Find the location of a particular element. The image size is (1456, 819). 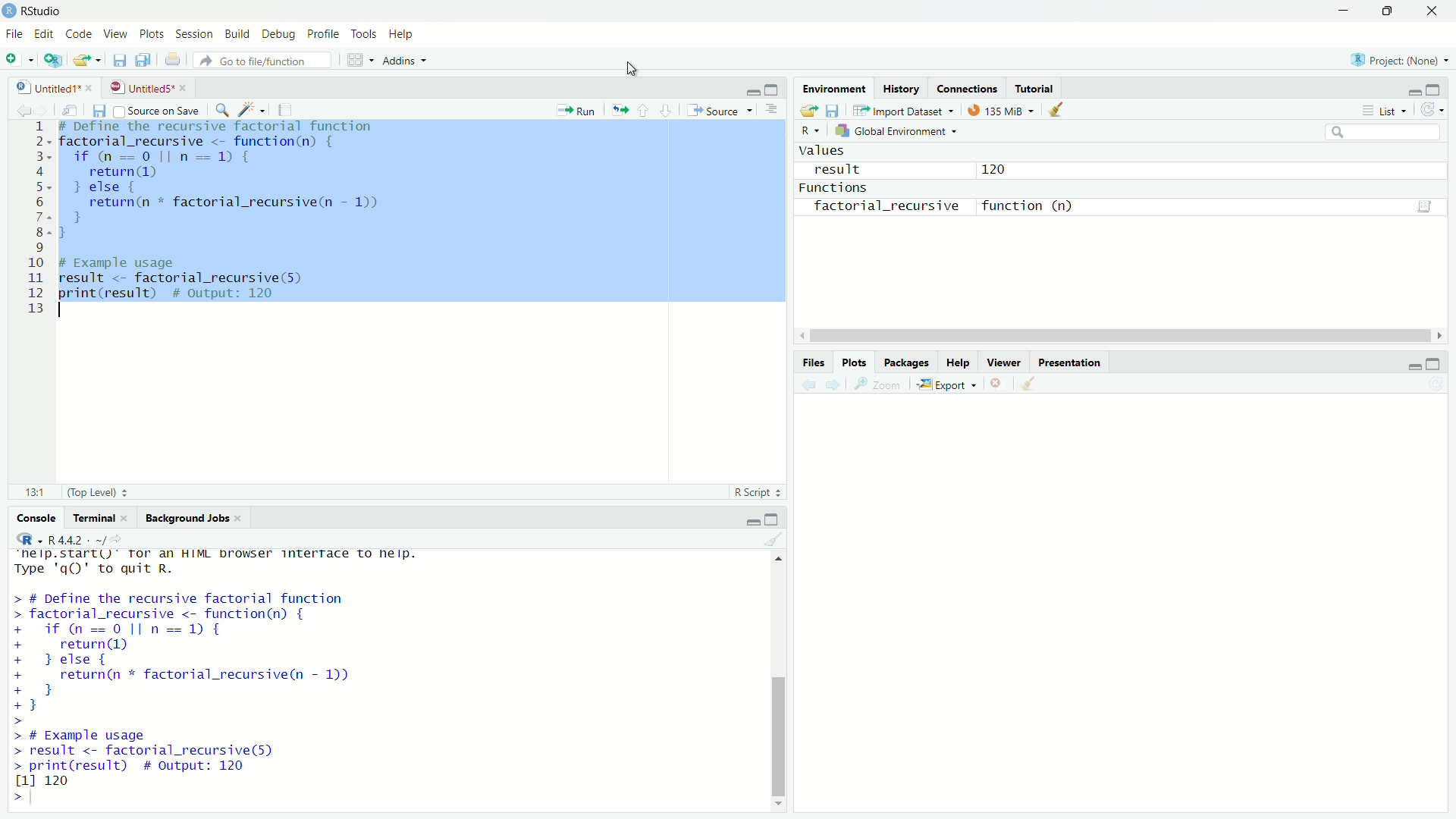

Up is located at coordinates (783, 558).